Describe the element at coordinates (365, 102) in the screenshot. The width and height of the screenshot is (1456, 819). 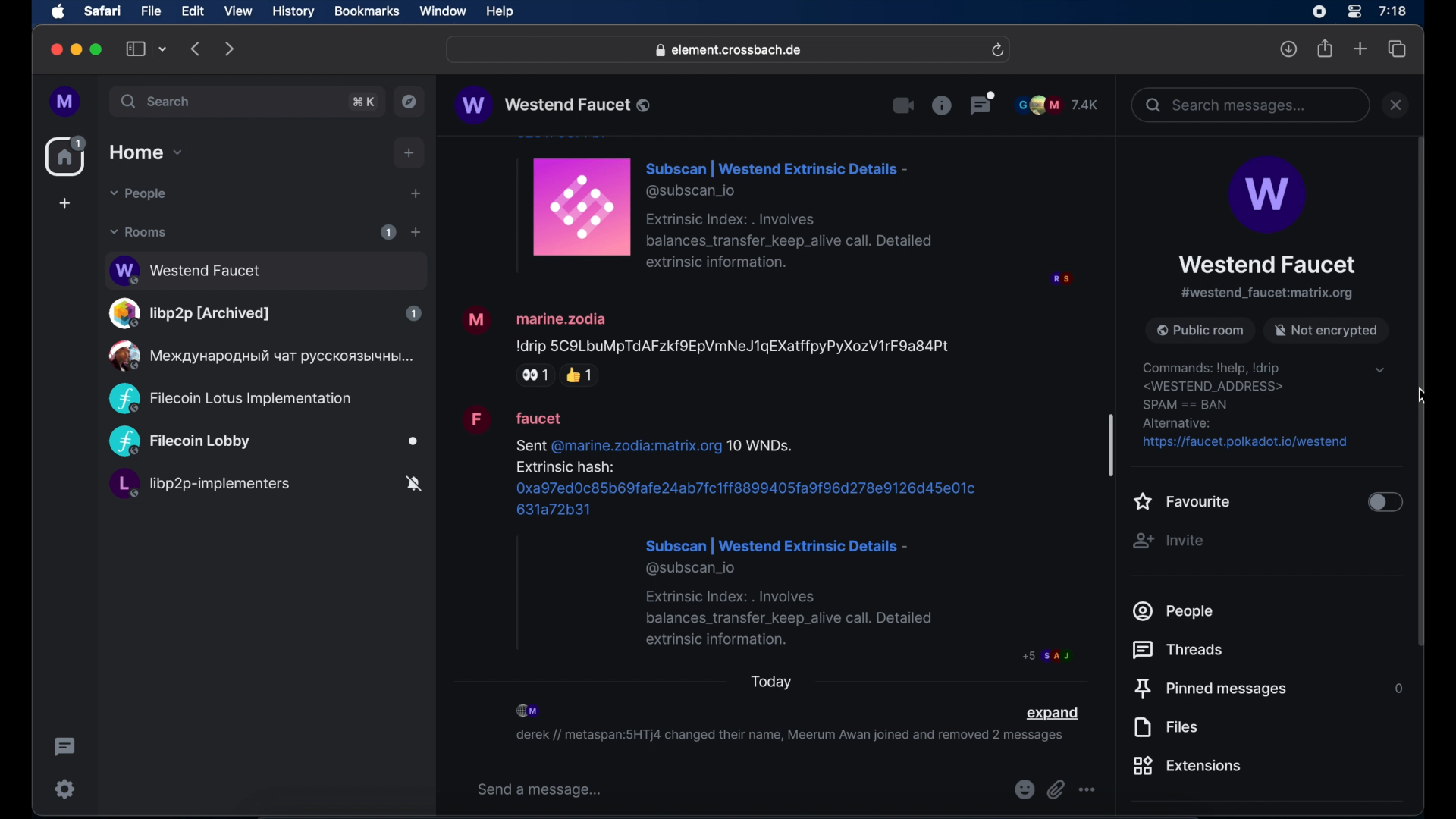
I see `search shortcut` at that location.